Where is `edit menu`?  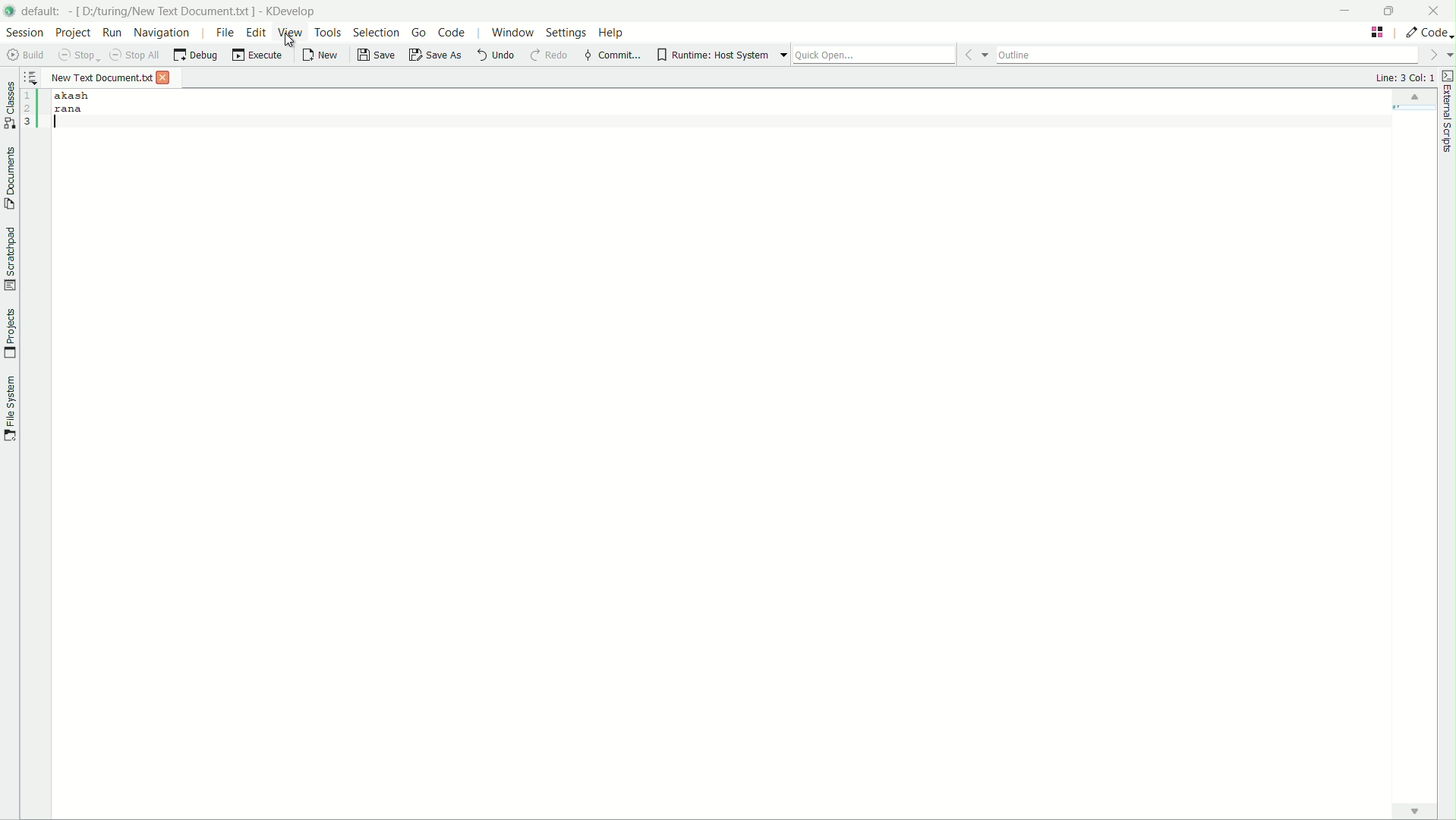 edit menu is located at coordinates (257, 33).